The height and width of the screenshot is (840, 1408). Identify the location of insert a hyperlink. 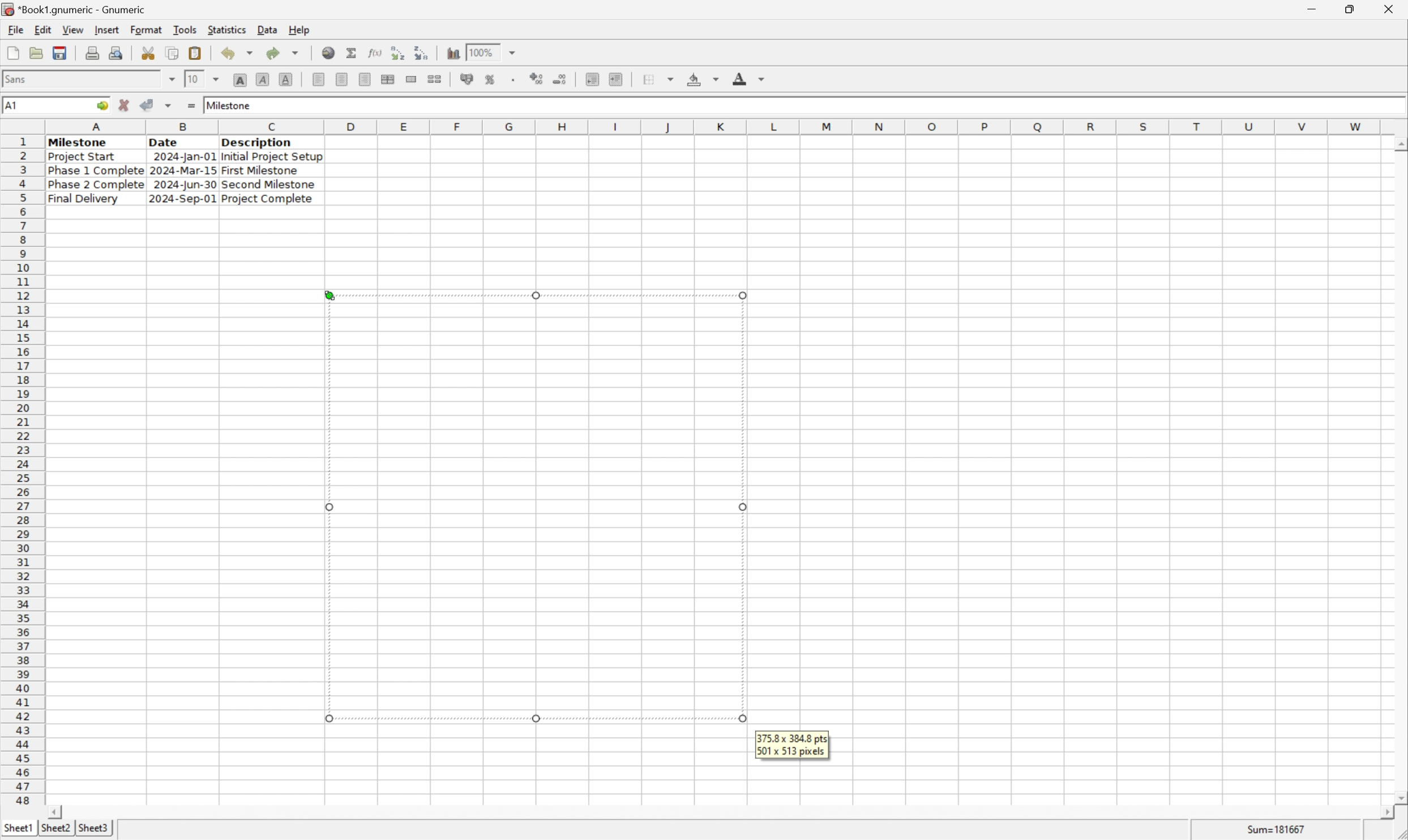
(329, 53).